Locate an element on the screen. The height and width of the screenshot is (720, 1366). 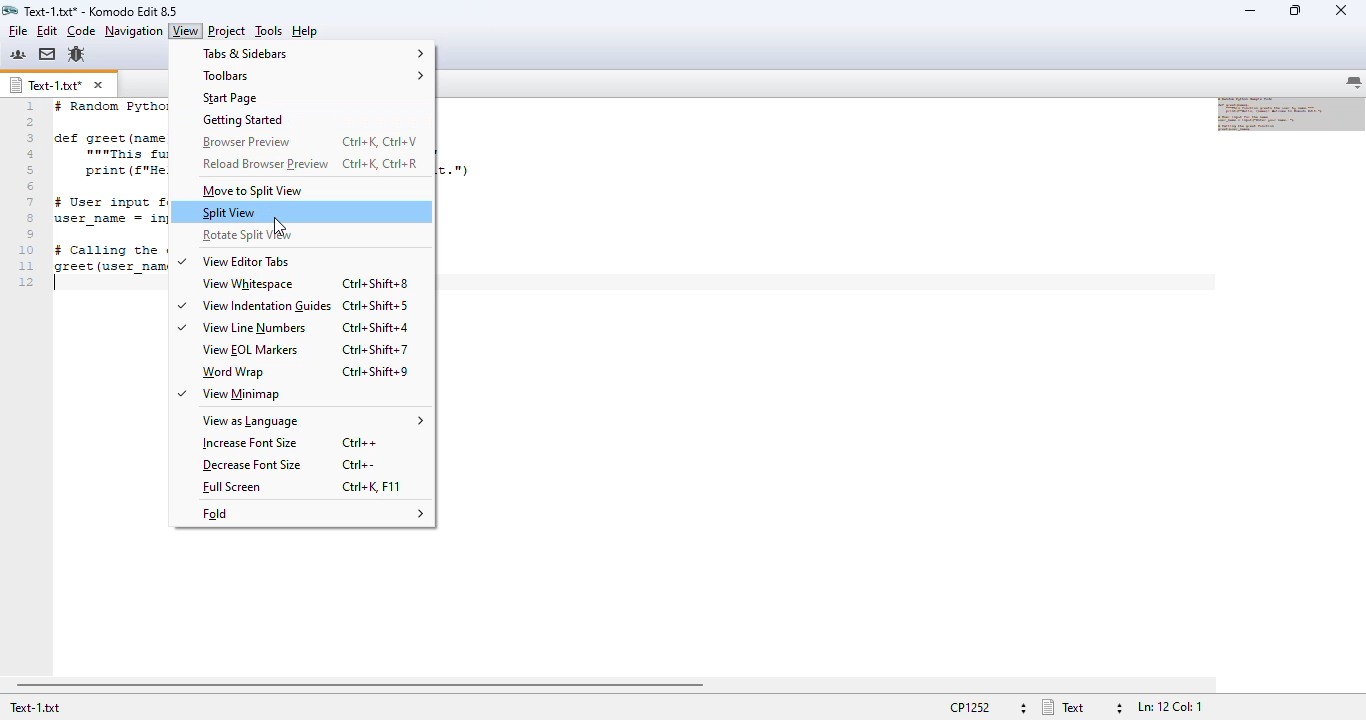
getting started is located at coordinates (243, 121).